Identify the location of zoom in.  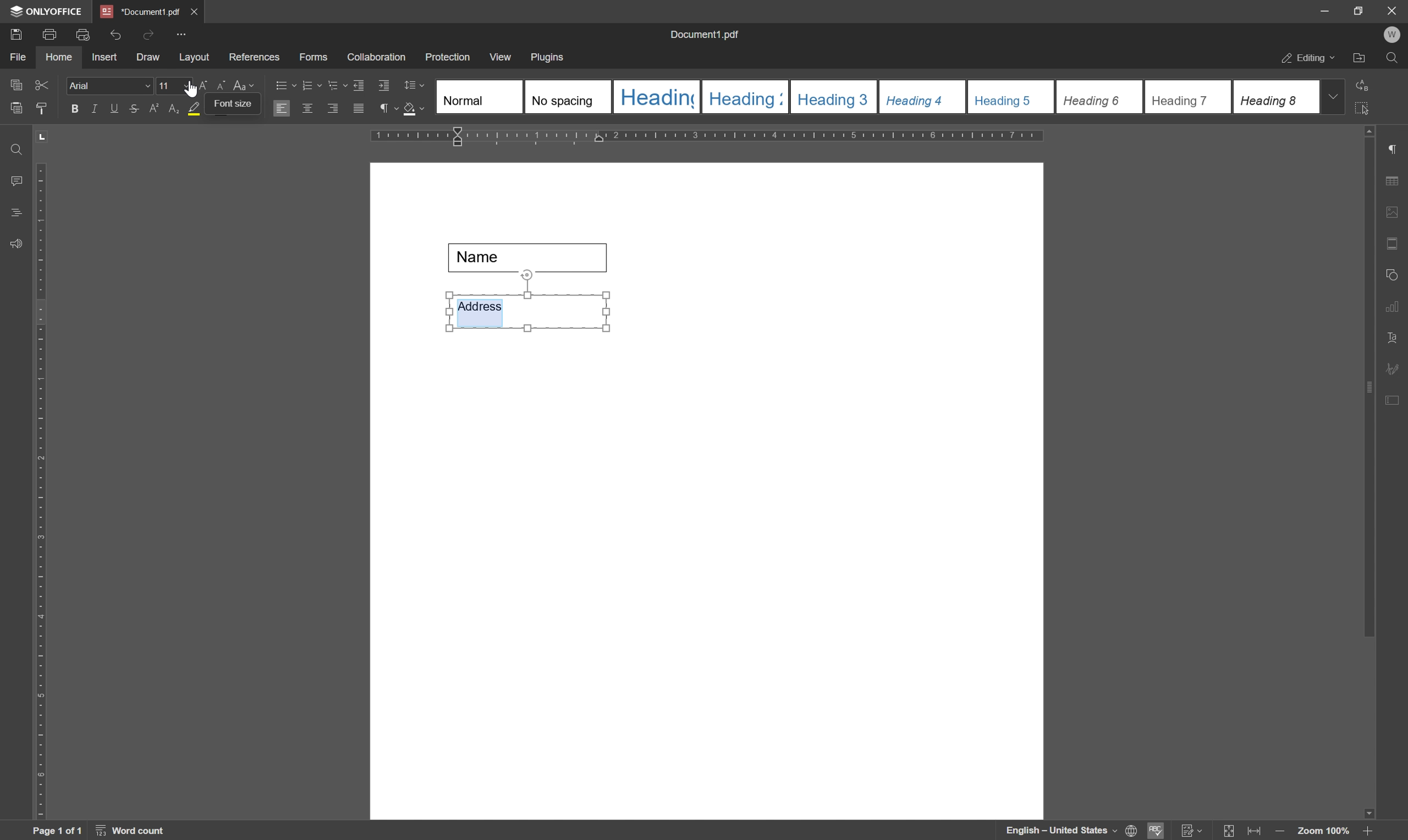
(1366, 831).